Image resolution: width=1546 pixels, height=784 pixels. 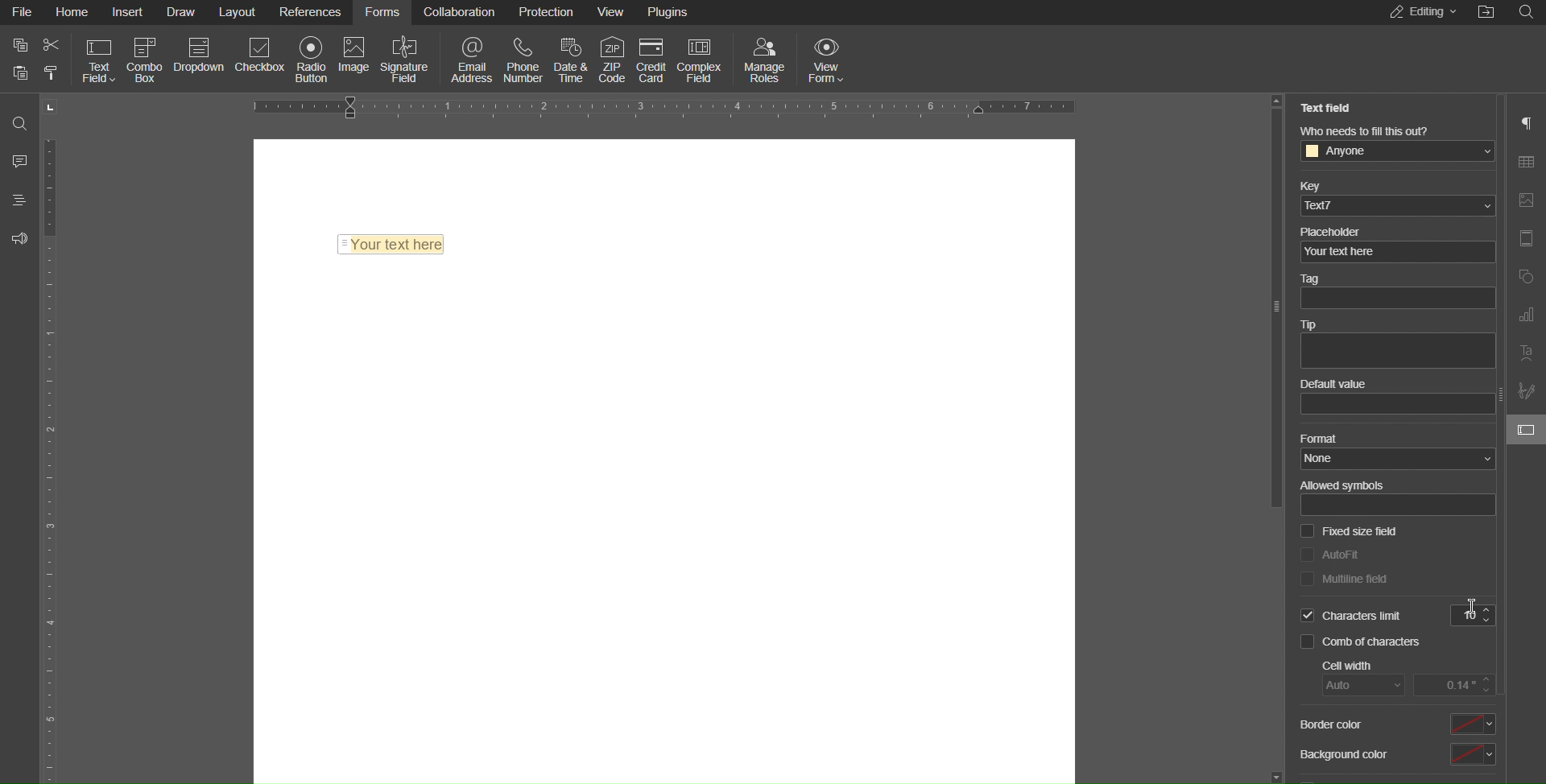 I want to click on Layout, so click(x=240, y=13).